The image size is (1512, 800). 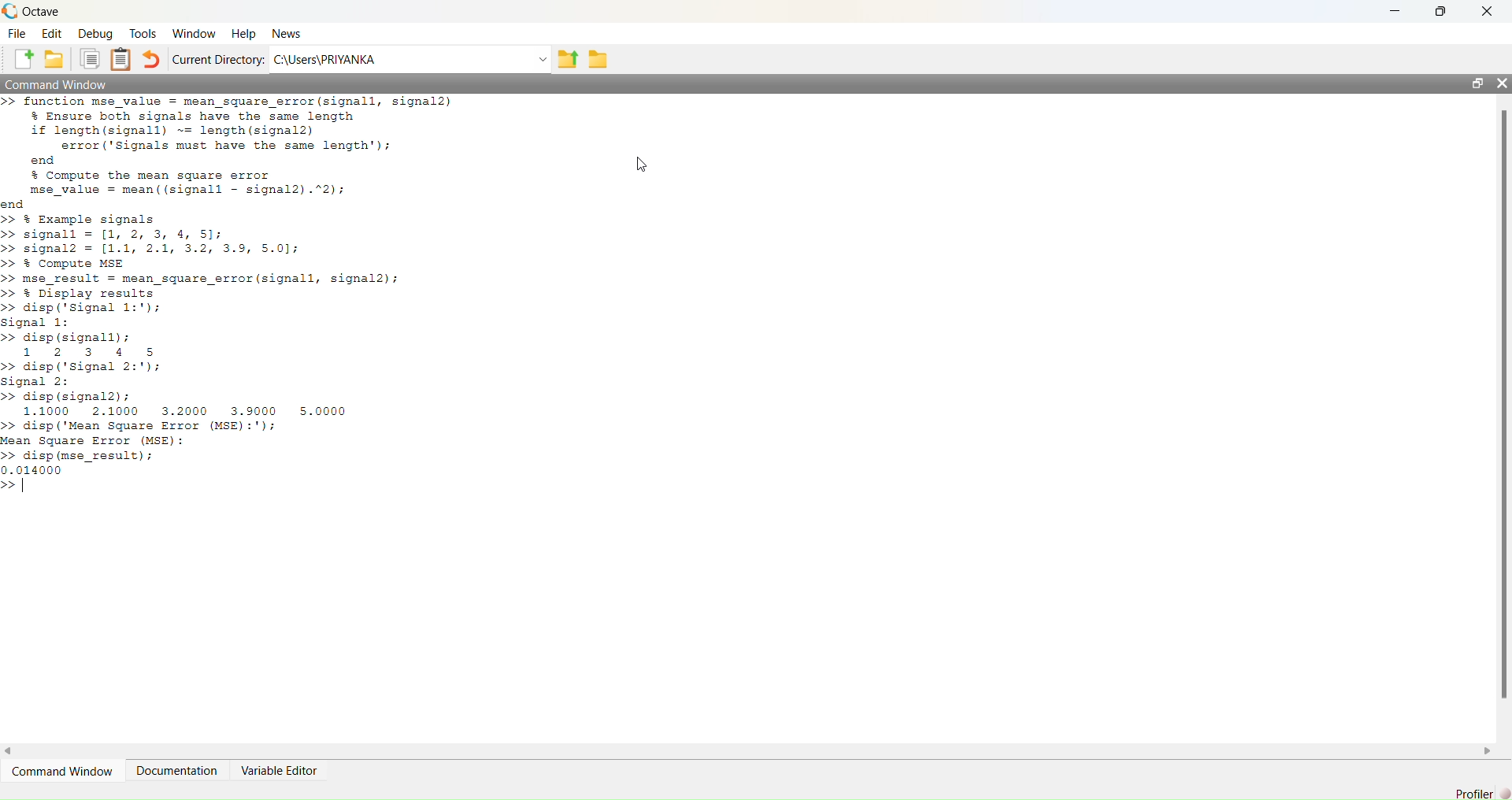 I want to click on scrollbar, so click(x=1503, y=409).